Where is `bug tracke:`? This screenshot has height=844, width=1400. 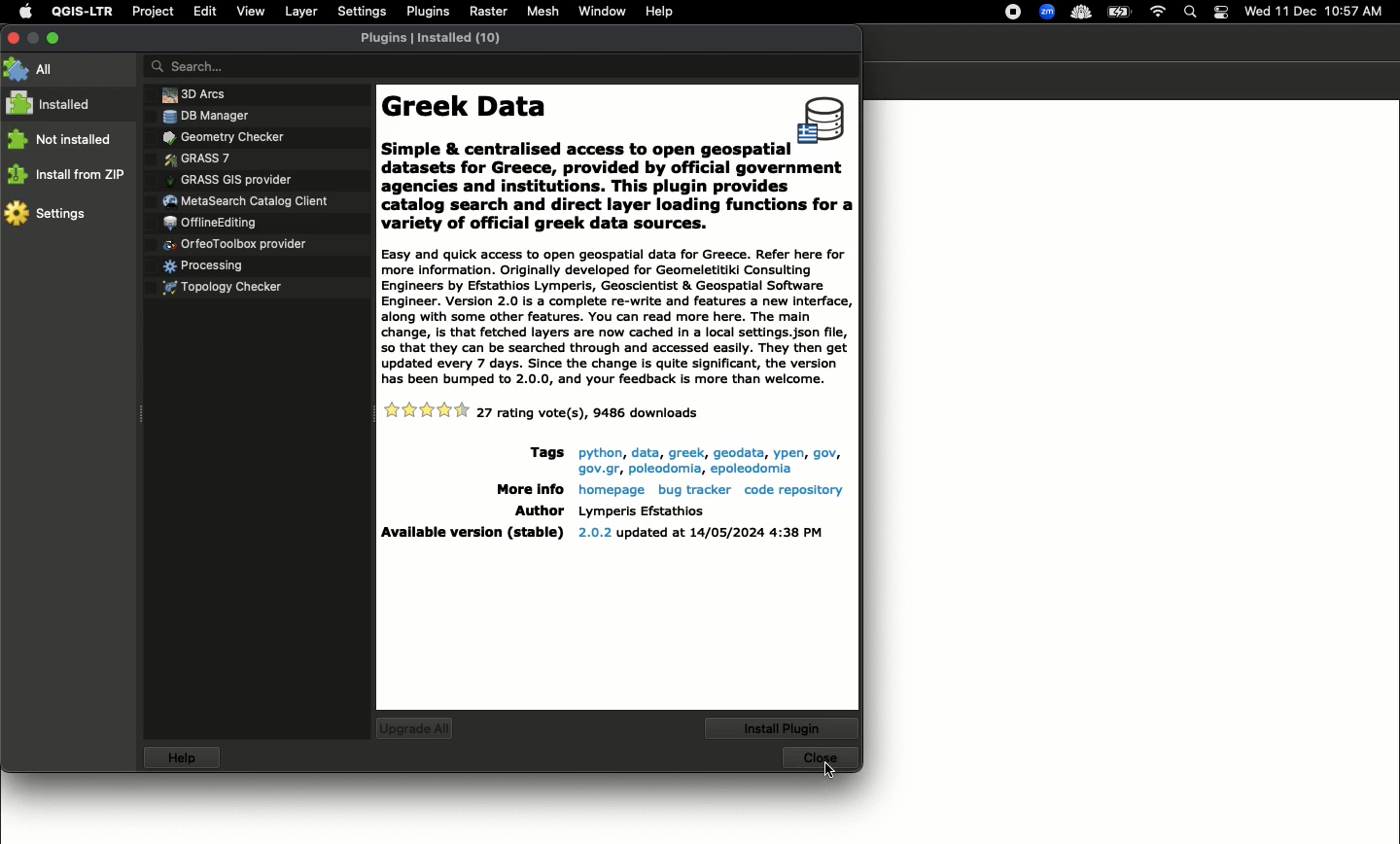 bug tracke: is located at coordinates (693, 491).